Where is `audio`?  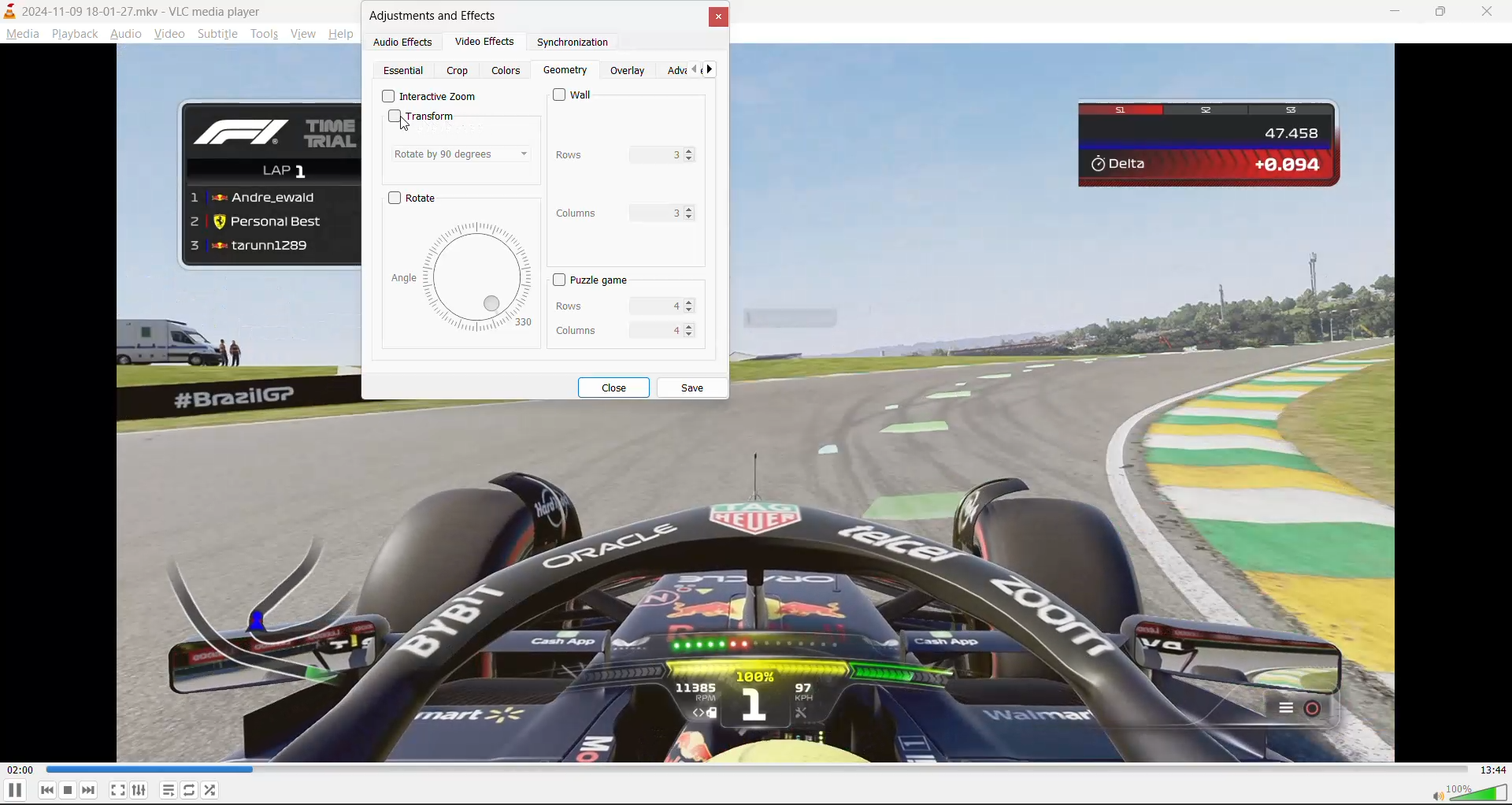 audio is located at coordinates (125, 35).